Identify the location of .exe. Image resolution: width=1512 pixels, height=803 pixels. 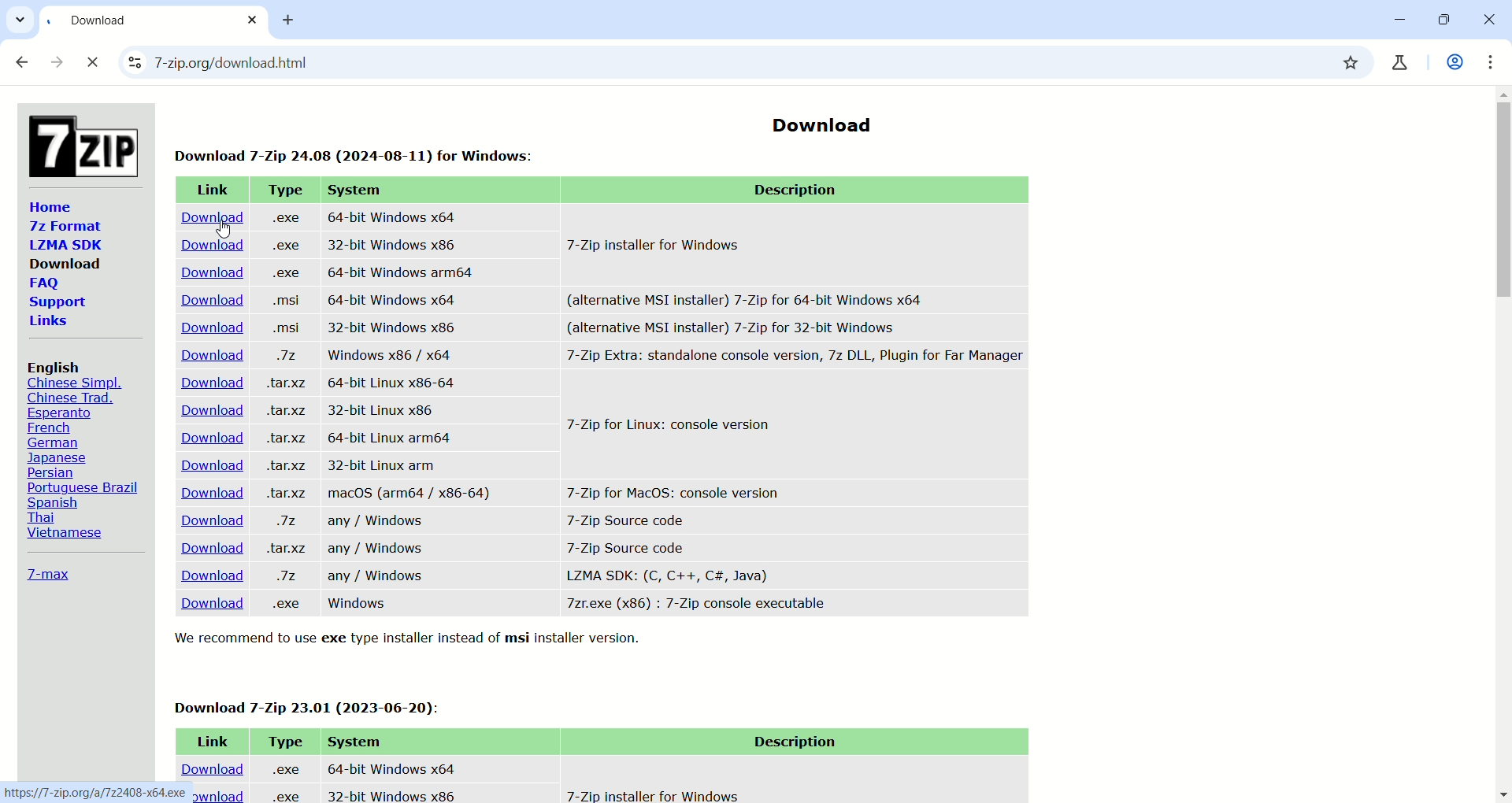
(283, 796).